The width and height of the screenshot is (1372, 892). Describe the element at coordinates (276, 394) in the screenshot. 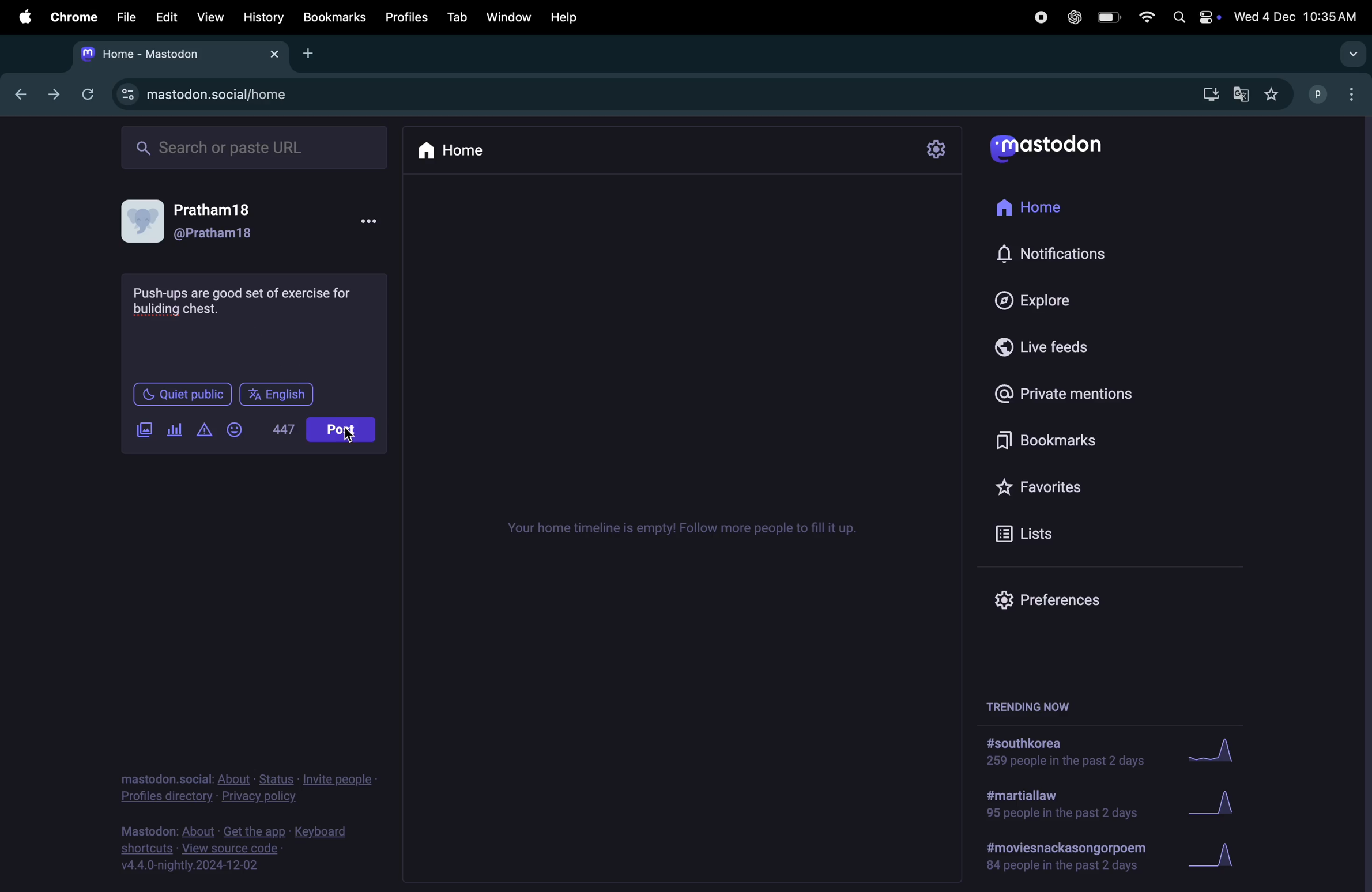

I see `English` at that location.